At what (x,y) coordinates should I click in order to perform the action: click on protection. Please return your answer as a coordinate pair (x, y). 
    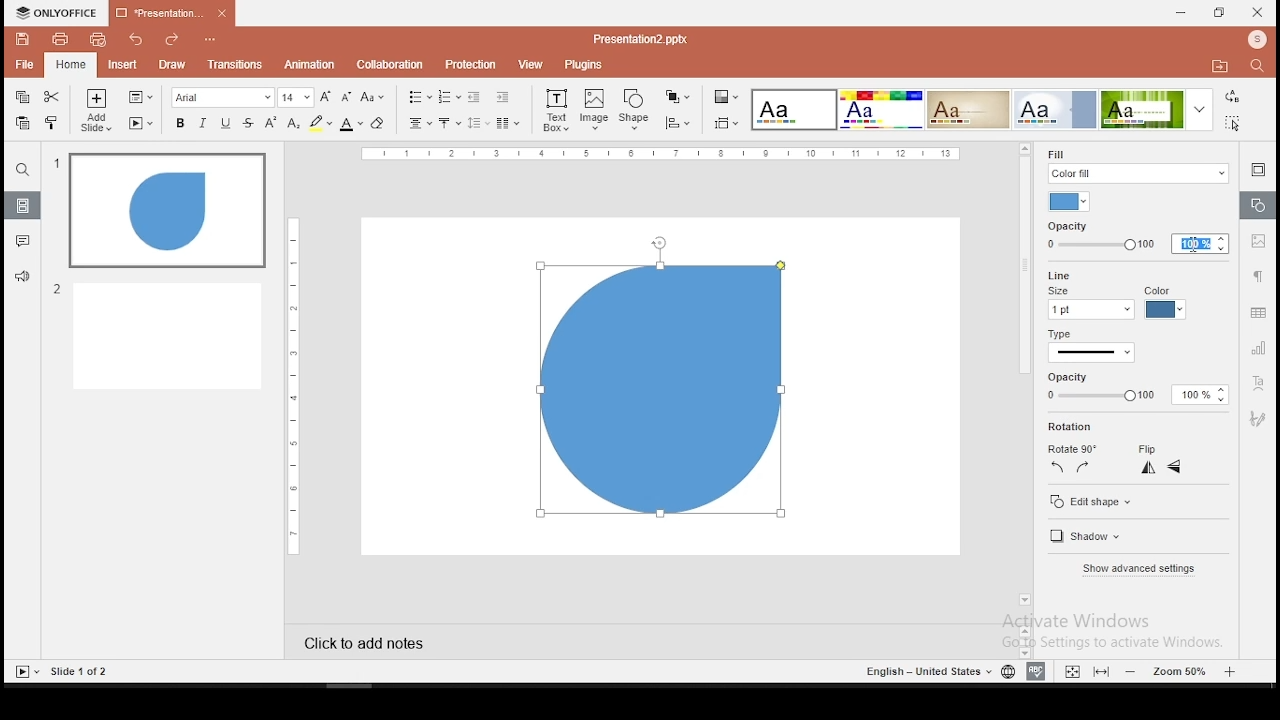
    Looking at the image, I should click on (469, 65).